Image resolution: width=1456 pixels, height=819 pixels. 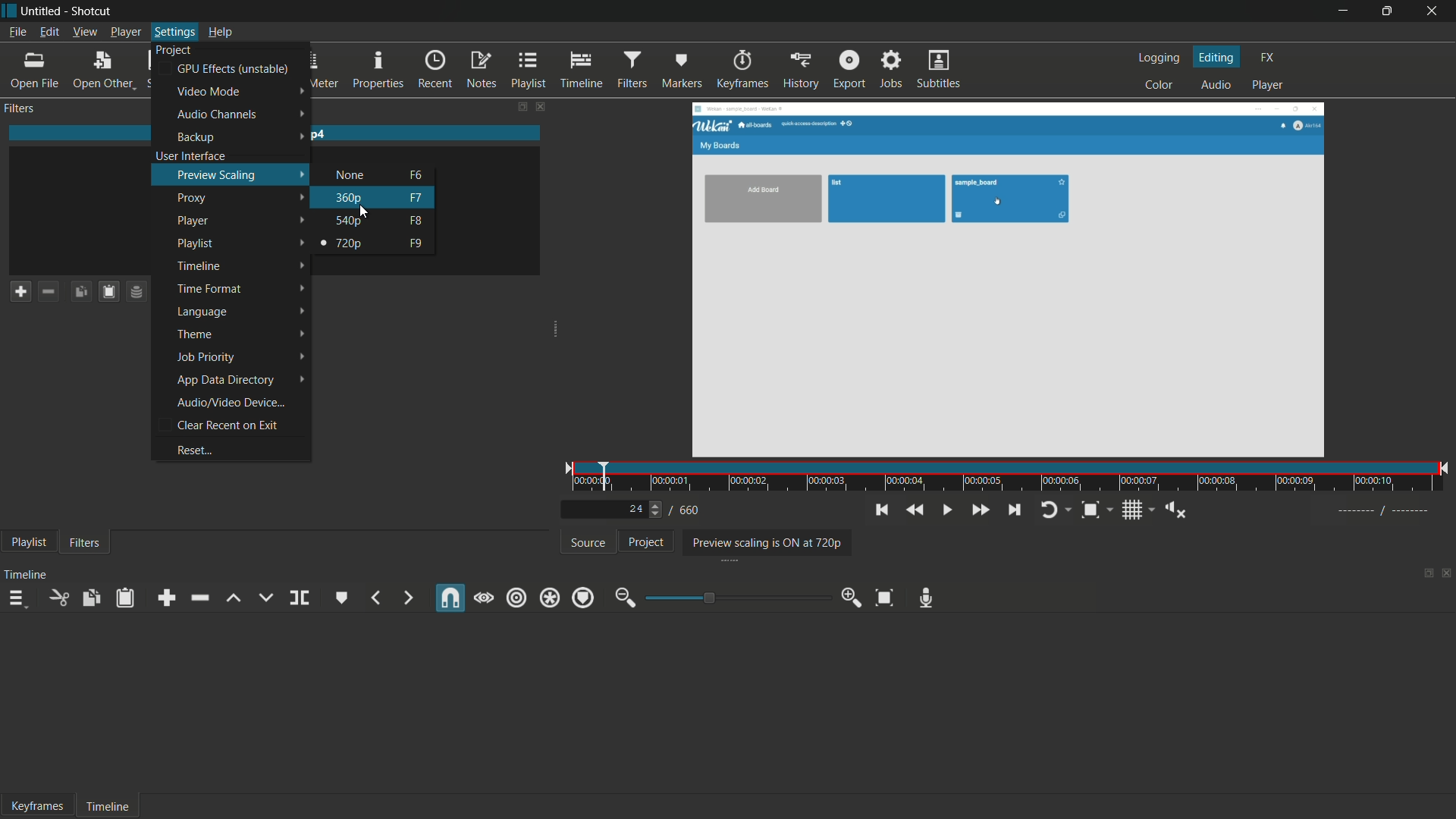 What do you see at coordinates (1158, 57) in the screenshot?
I see `logging` at bounding box center [1158, 57].